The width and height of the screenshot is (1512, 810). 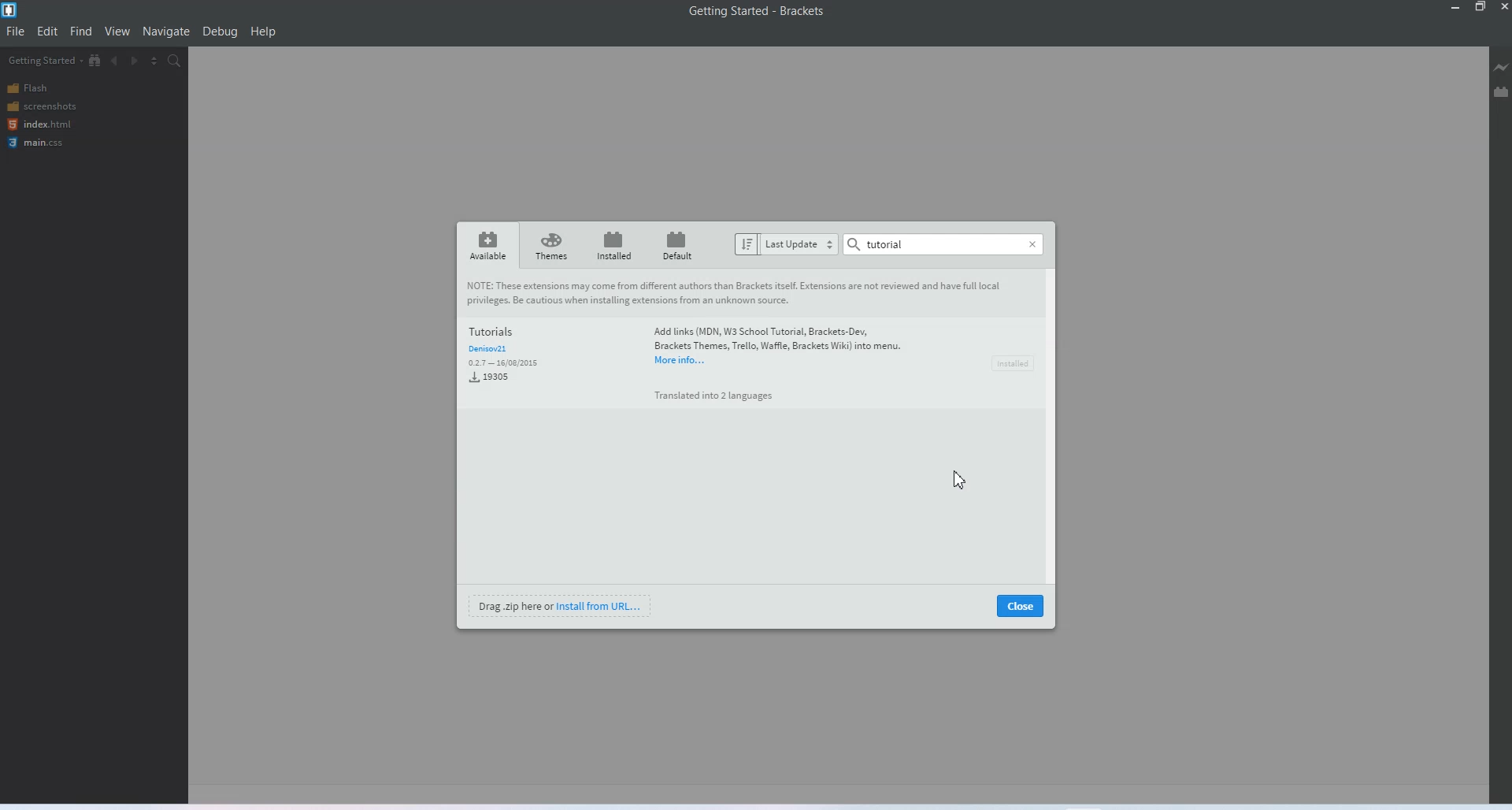 What do you see at coordinates (175, 61) in the screenshot?
I see `Find in files` at bounding box center [175, 61].